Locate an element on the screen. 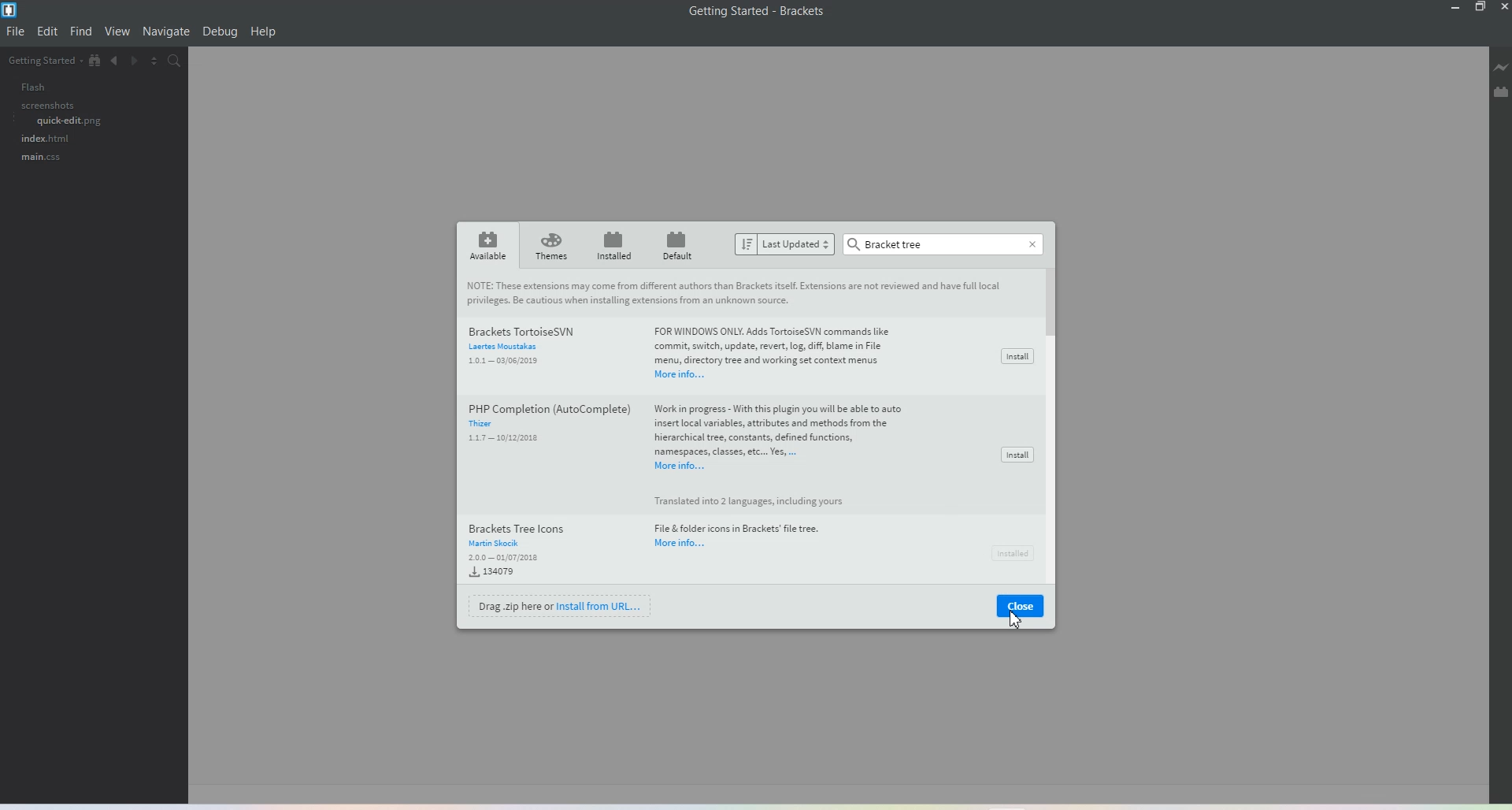 This screenshot has height=810, width=1512. Edit is located at coordinates (48, 32).